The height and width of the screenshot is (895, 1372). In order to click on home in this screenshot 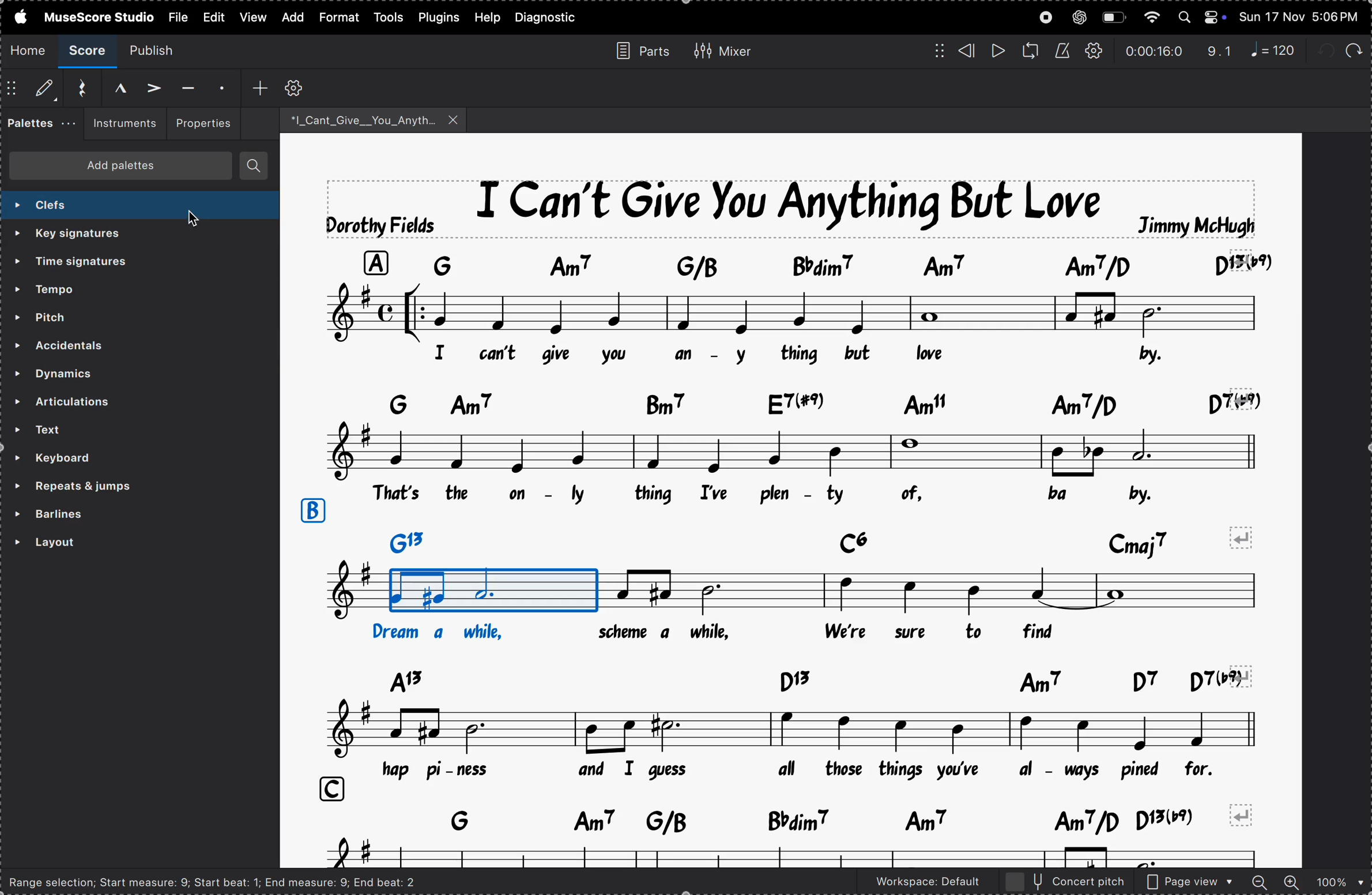, I will do `click(29, 50)`.